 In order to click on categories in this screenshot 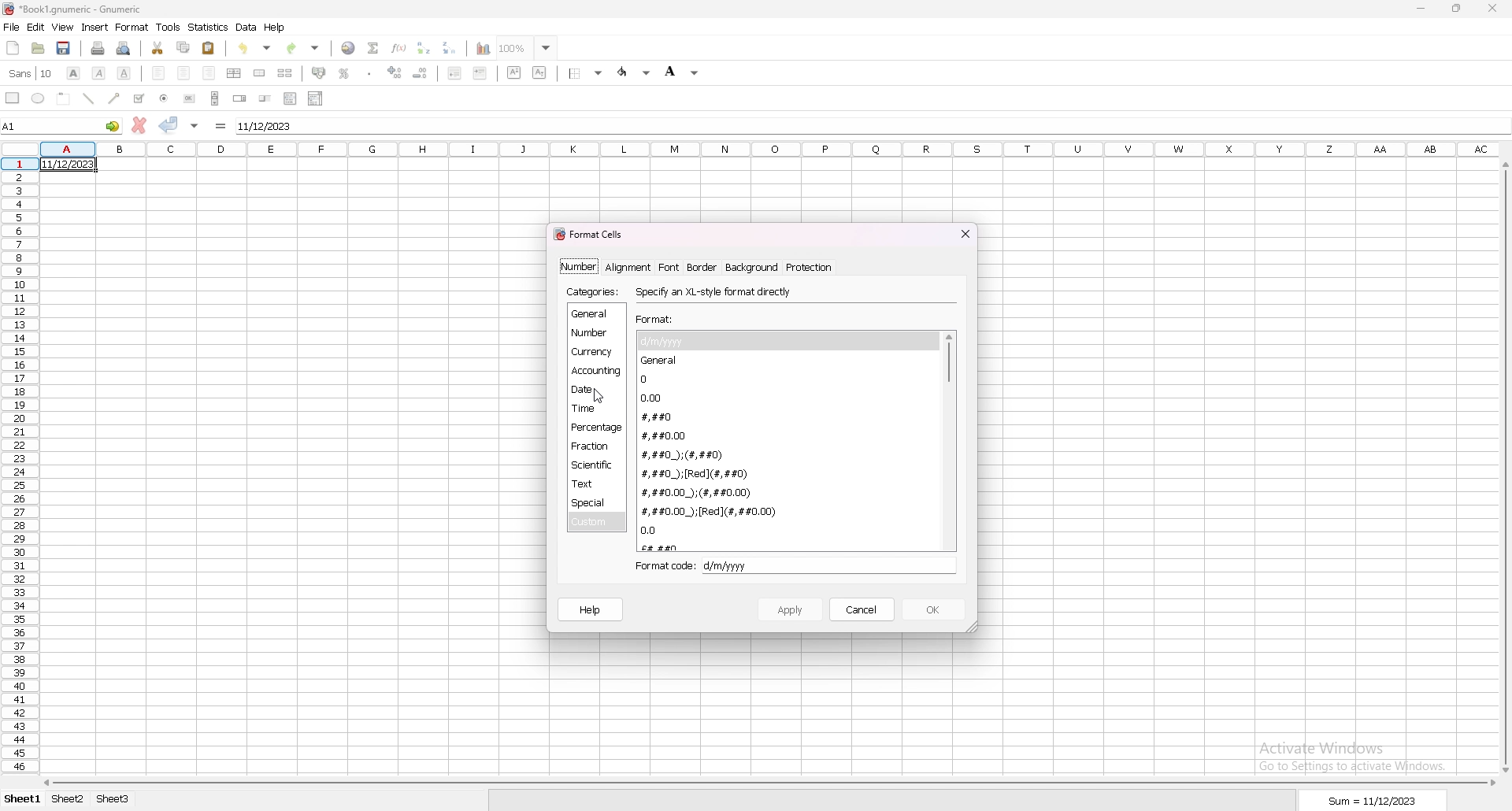, I will do `click(594, 292)`.